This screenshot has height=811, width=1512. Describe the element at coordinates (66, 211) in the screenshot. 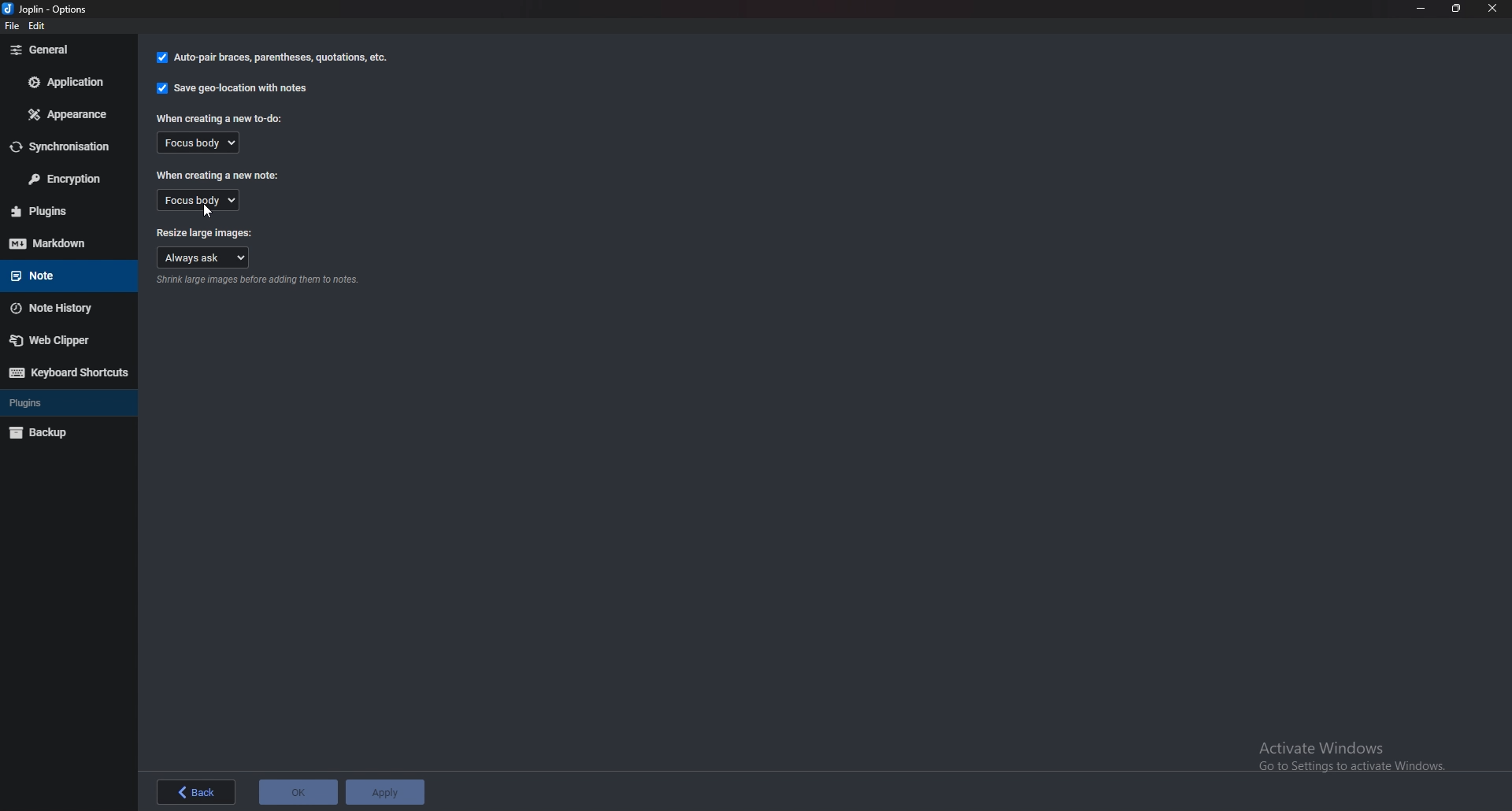

I see `Plugins` at that location.